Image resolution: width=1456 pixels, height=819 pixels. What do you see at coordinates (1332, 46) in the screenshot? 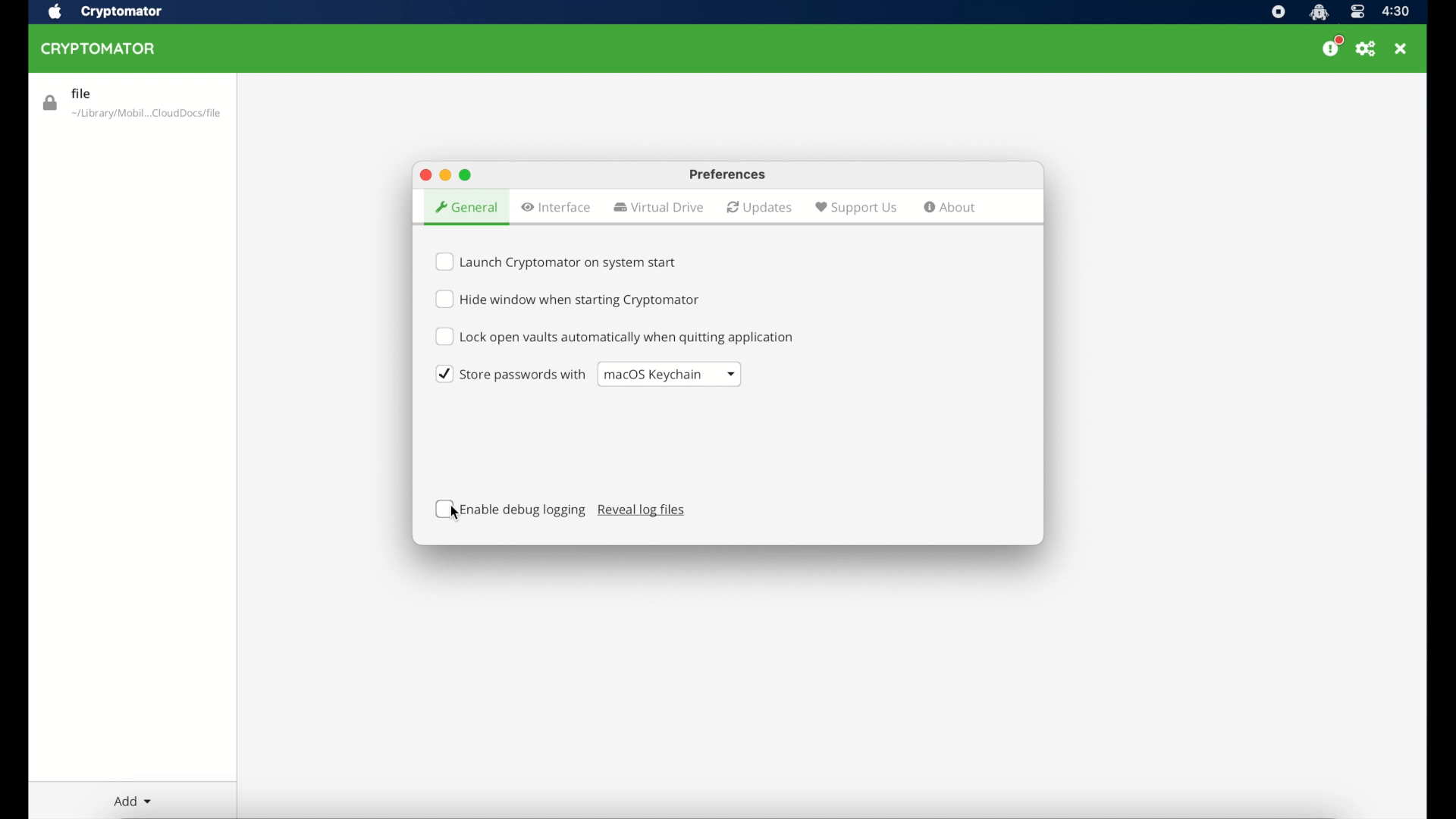
I see `donate us` at bounding box center [1332, 46].